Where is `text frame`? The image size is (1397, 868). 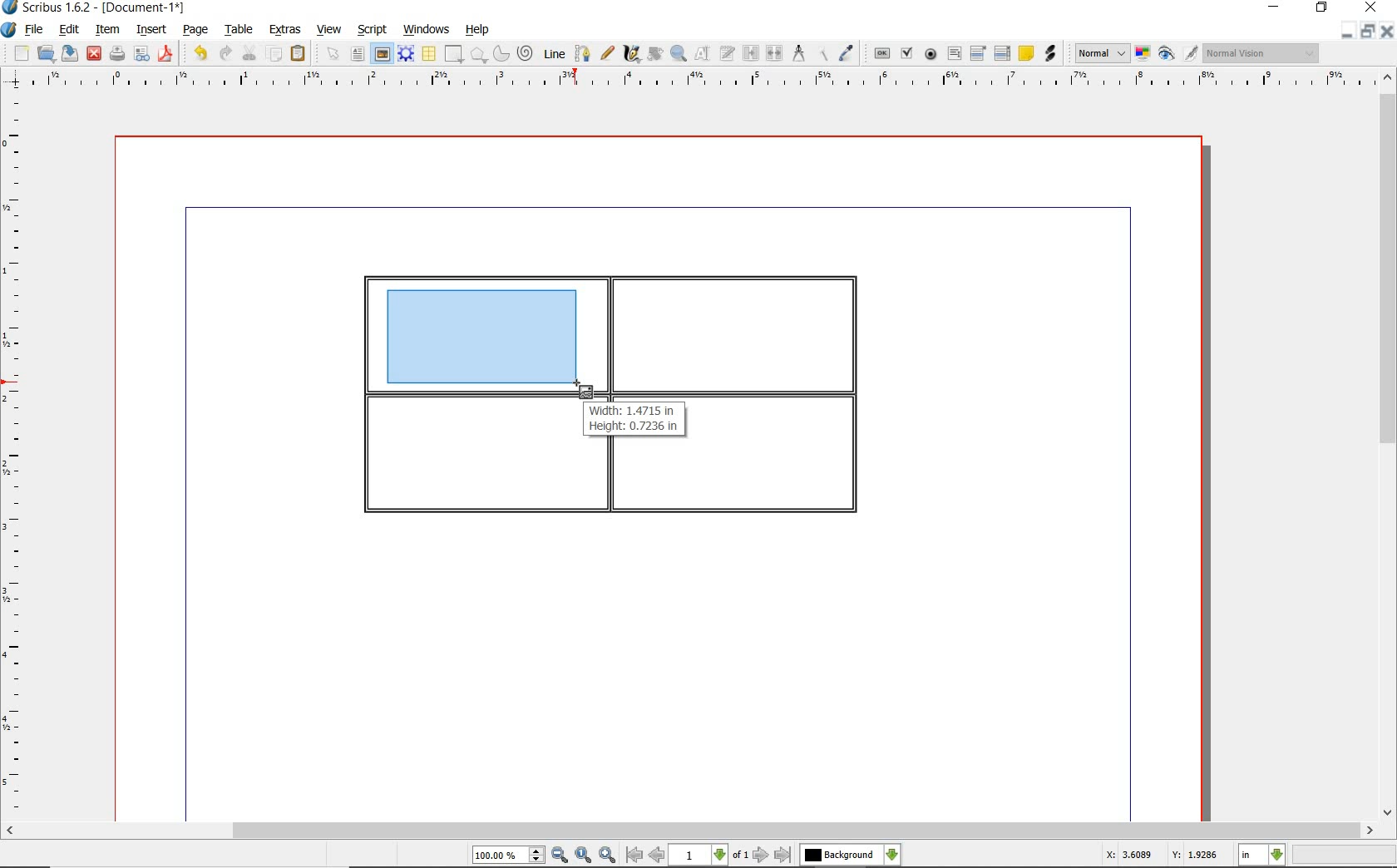
text frame is located at coordinates (358, 56).